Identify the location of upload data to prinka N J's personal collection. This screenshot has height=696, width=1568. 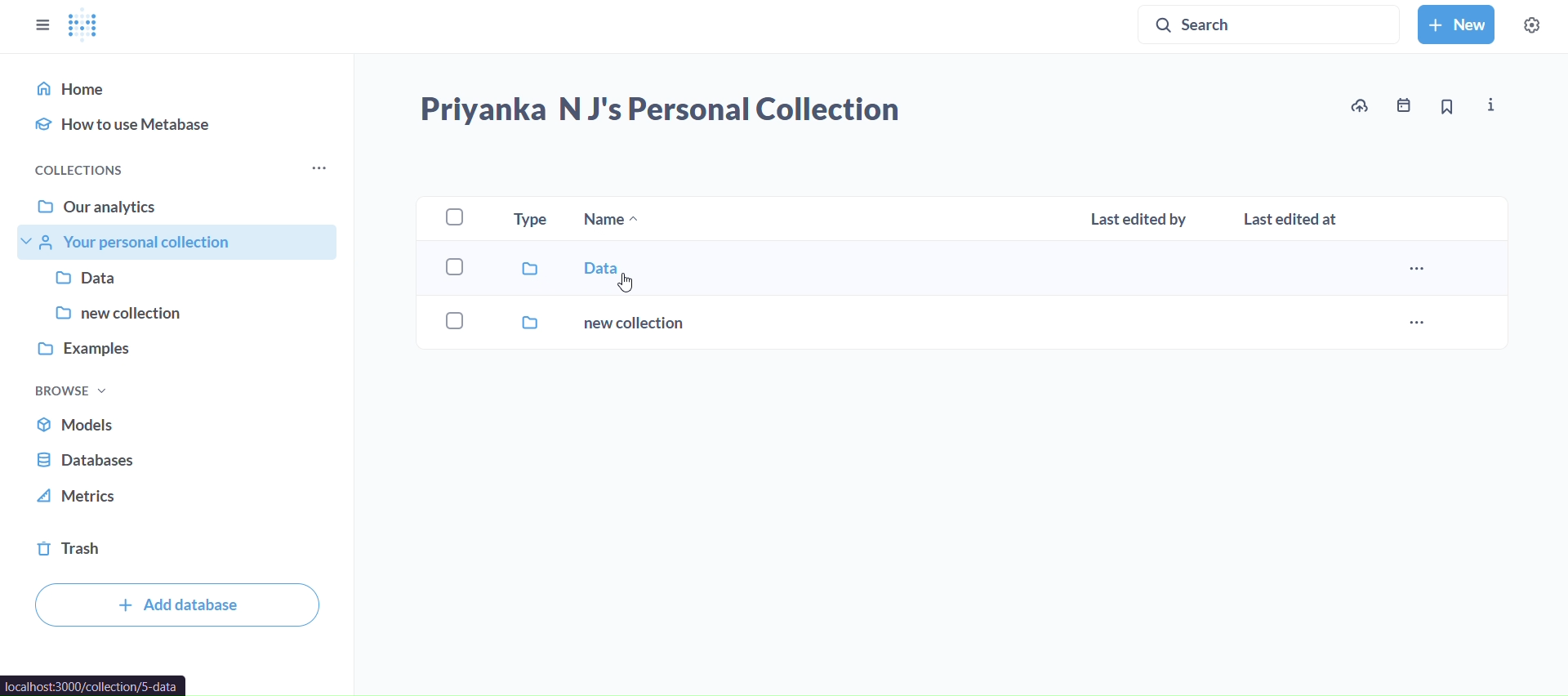
(1360, 106).